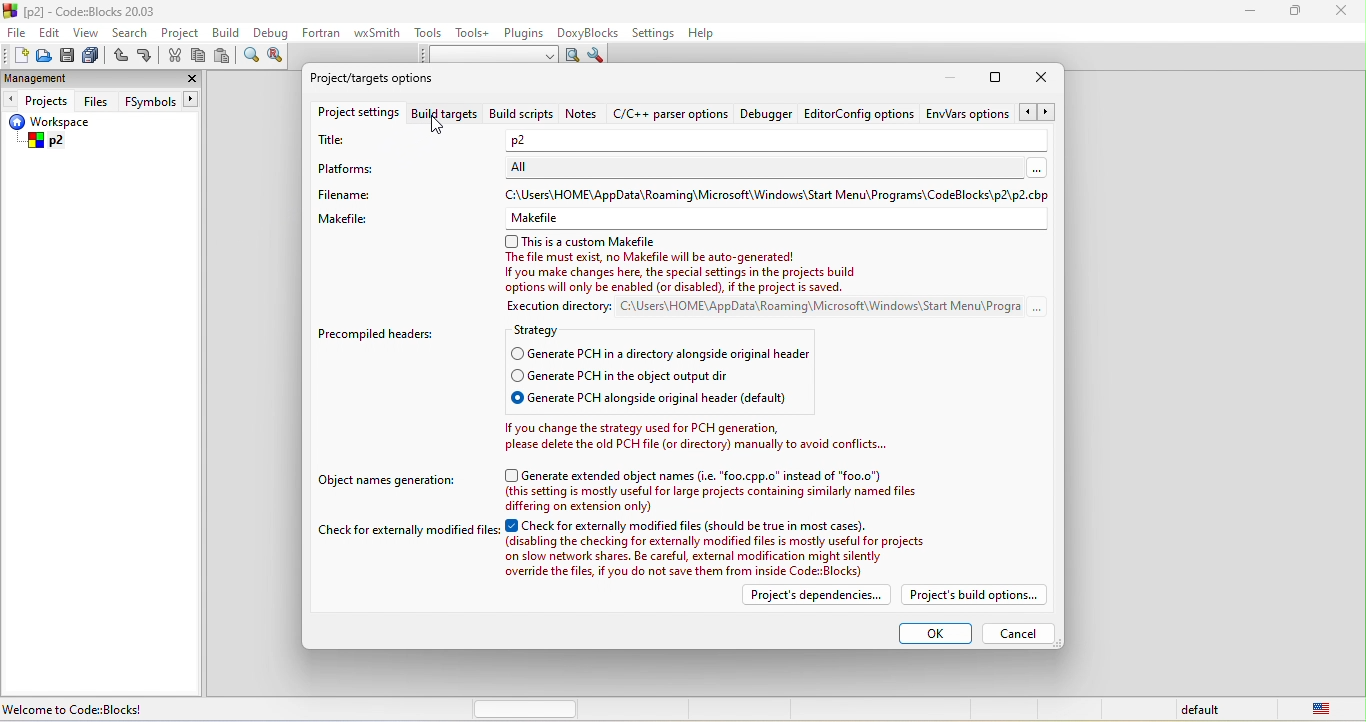  What do you see at coordinates (543, 218) in the screenshot?
I see `makefile` at bounding box center [543, 218].